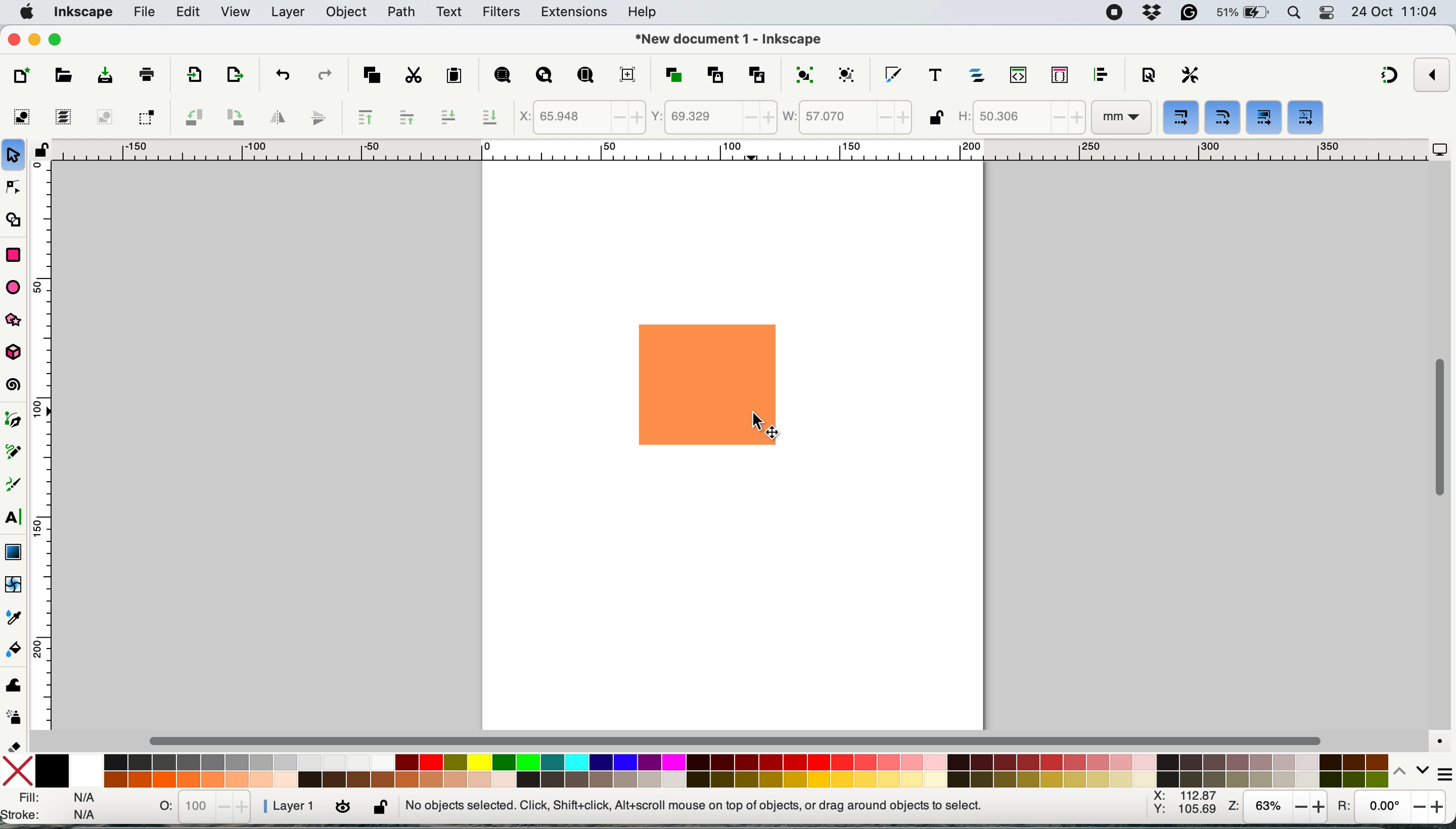 The image size is (1456, 829). Describe the element at coordinates (576, 13) in the screenshot. I see `extensions` at that location.